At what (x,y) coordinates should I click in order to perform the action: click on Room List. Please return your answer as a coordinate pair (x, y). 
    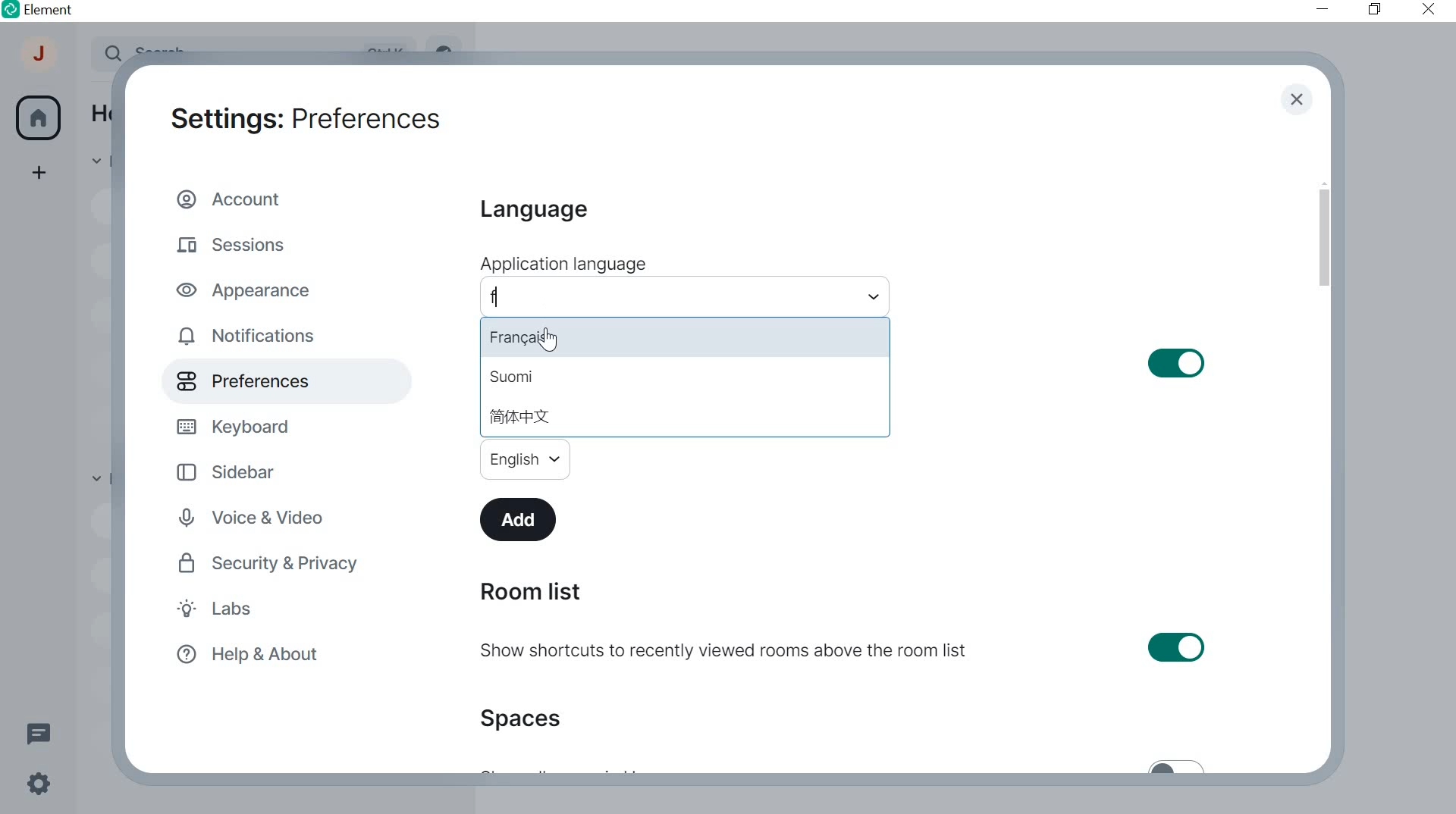
    Looking at the image, I should click on (529, 592).